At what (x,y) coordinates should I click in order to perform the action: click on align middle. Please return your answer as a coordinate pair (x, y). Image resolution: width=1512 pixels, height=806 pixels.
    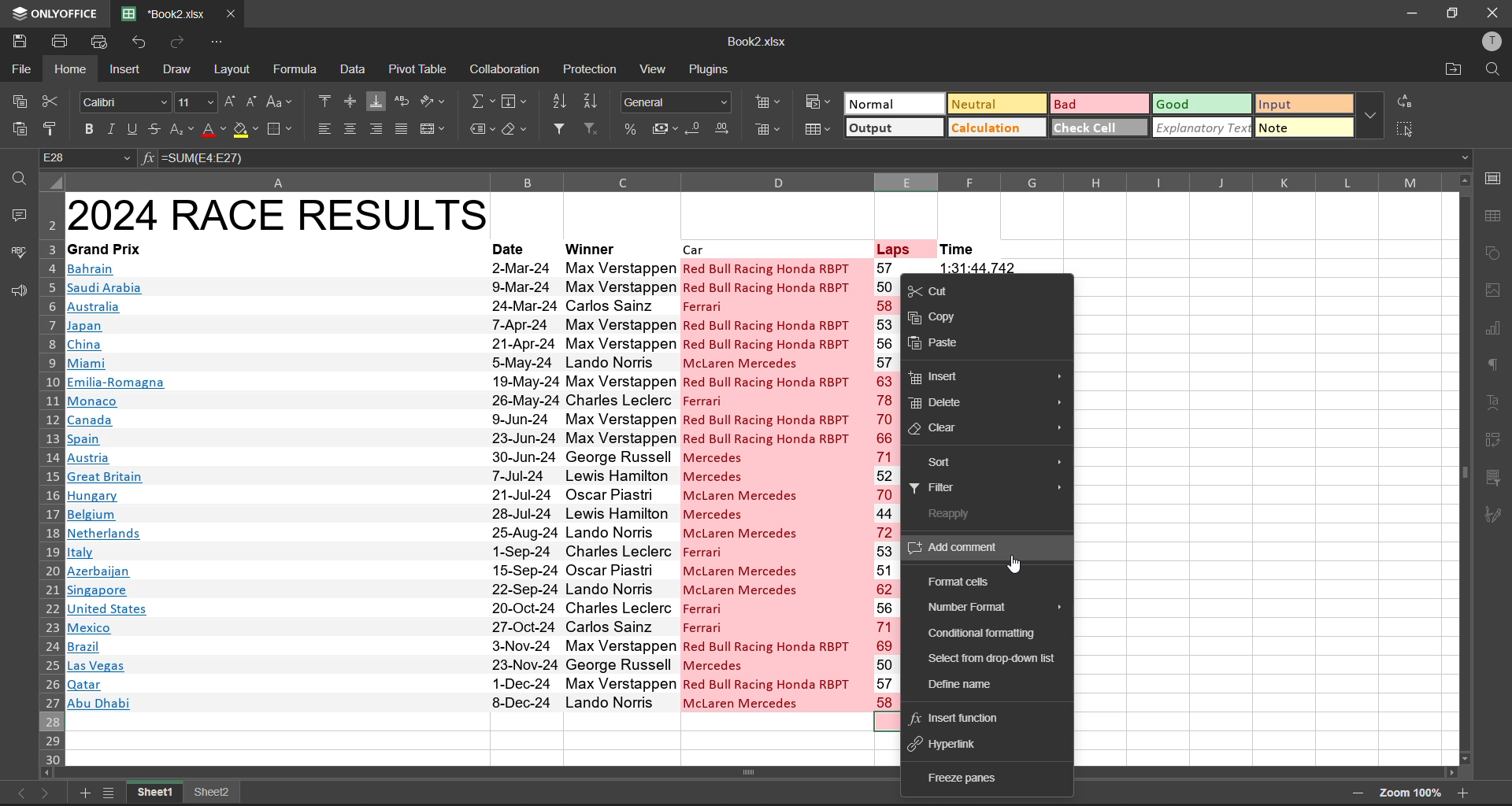
    Looking at the image, I should click on (349, 101).